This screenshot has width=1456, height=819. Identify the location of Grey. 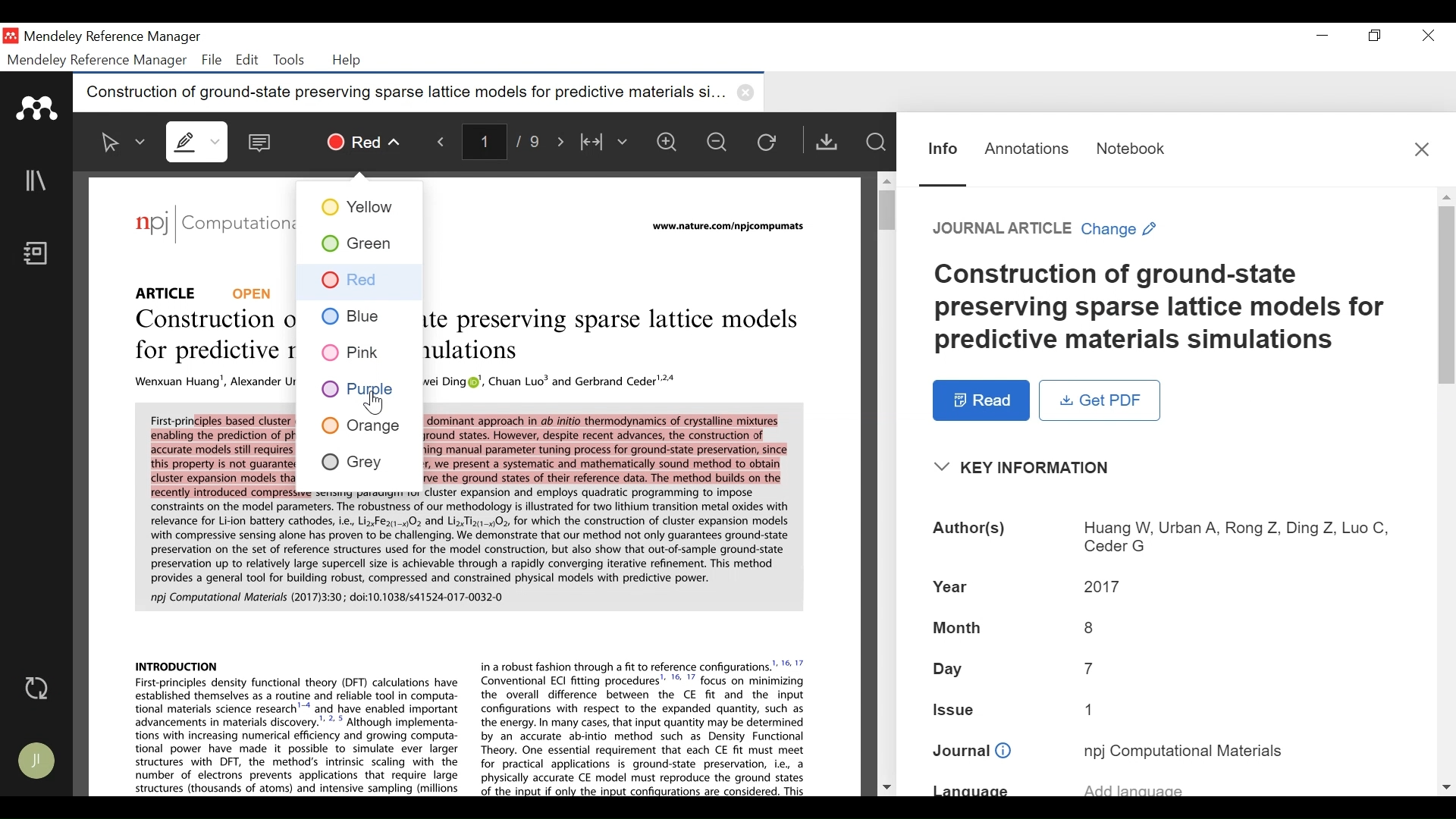
(360, 463).